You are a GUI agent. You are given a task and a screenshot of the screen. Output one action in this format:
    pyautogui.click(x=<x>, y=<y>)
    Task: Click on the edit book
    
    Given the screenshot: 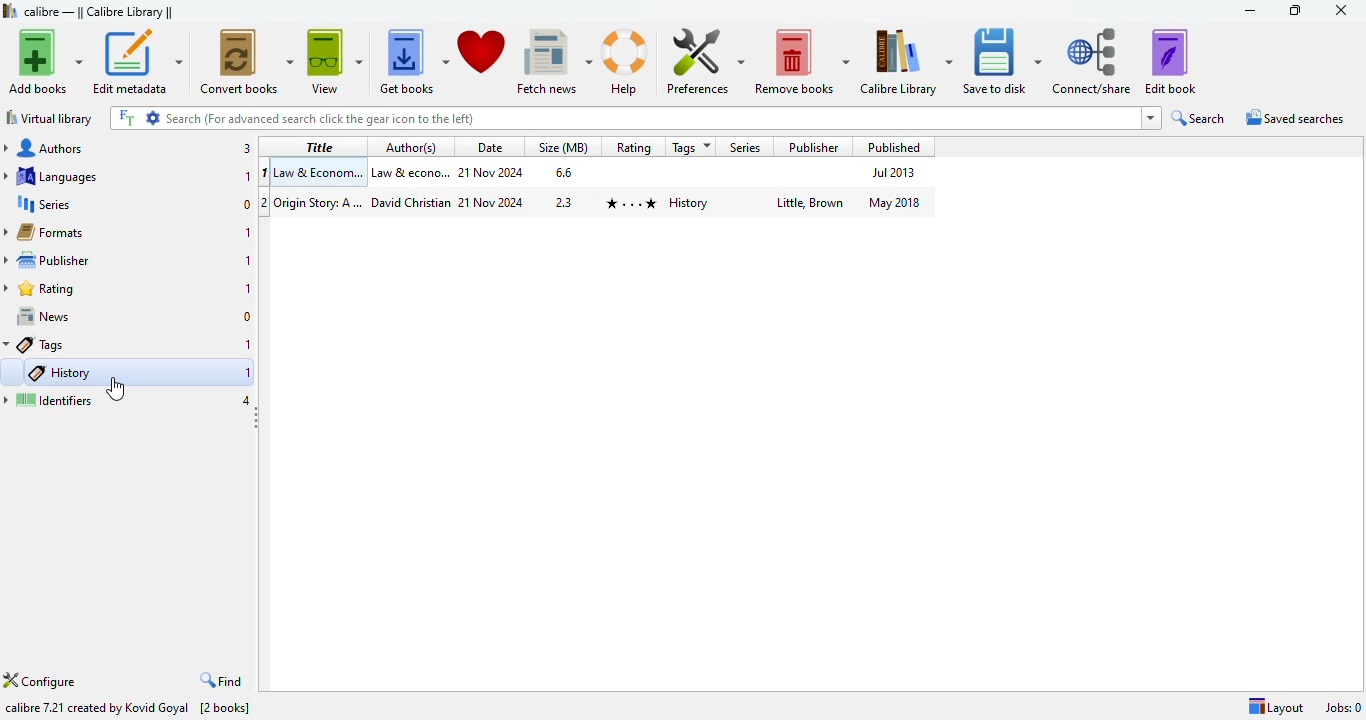 What is the action you would take?
    pyautogui.click(x=1171, y=60)
    